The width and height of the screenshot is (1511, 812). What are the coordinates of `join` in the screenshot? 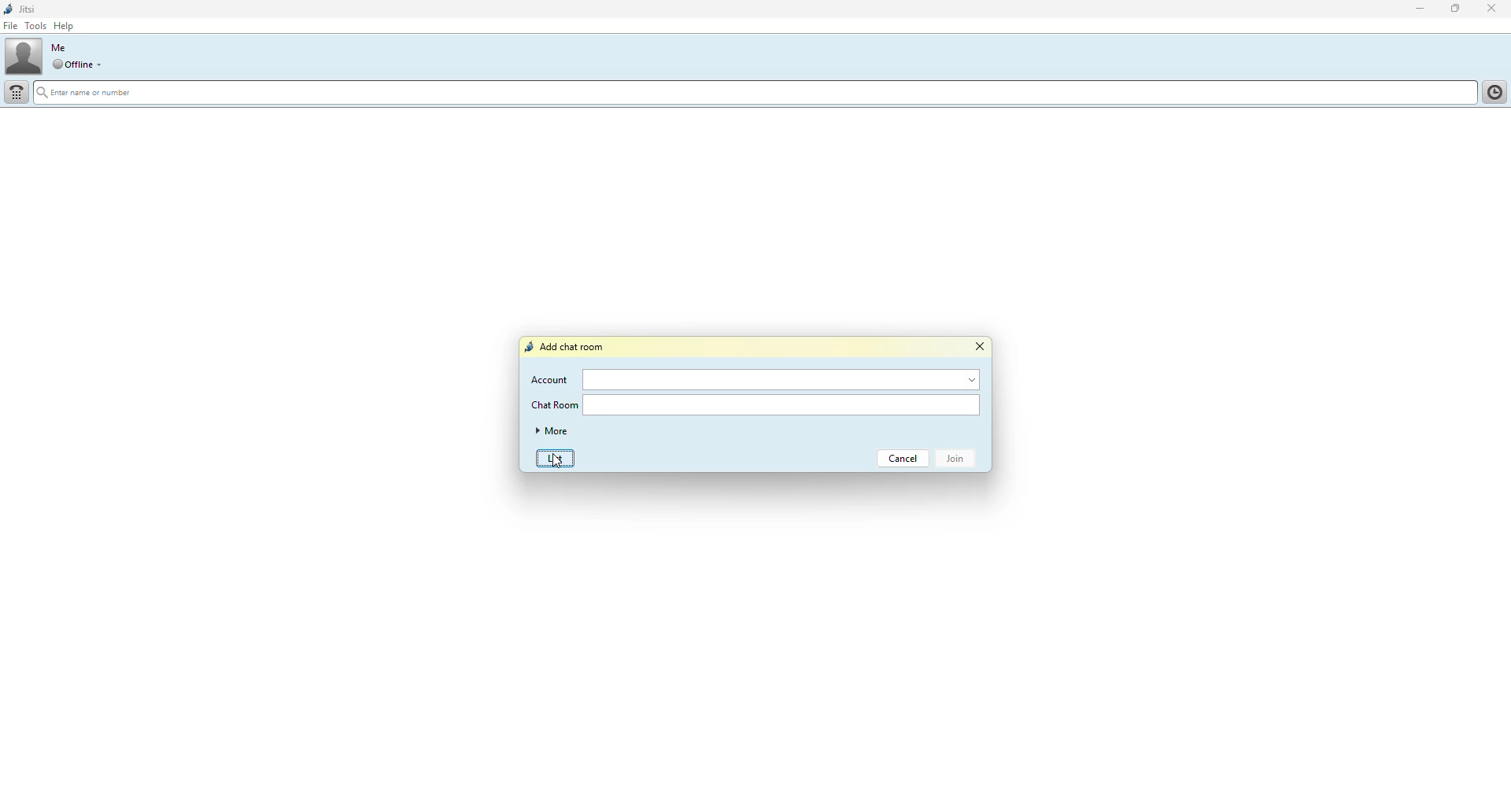 It's located at (955, 463).